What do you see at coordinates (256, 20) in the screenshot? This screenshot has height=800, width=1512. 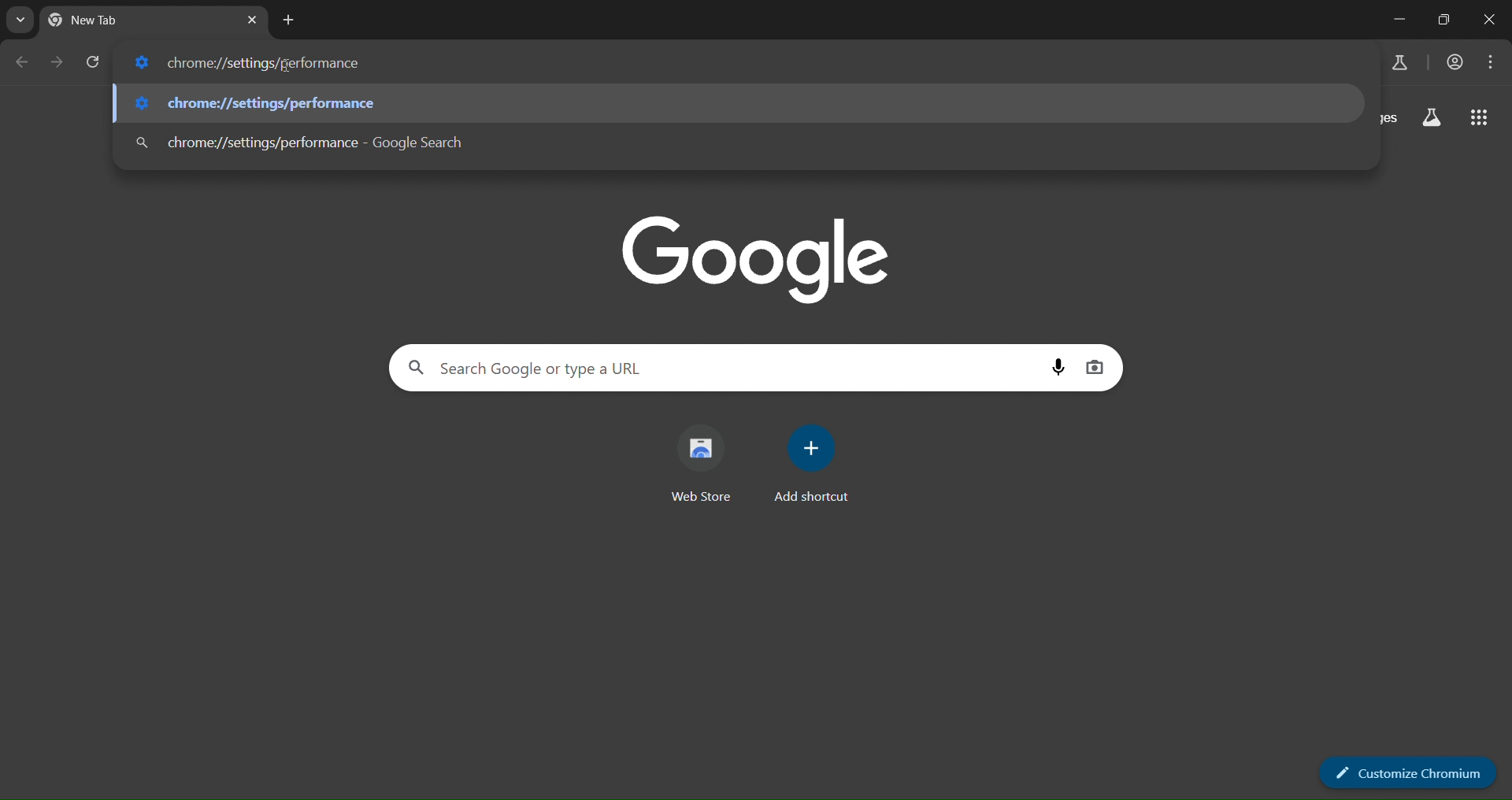 I see `close tab` at bounding box center [256, 20].